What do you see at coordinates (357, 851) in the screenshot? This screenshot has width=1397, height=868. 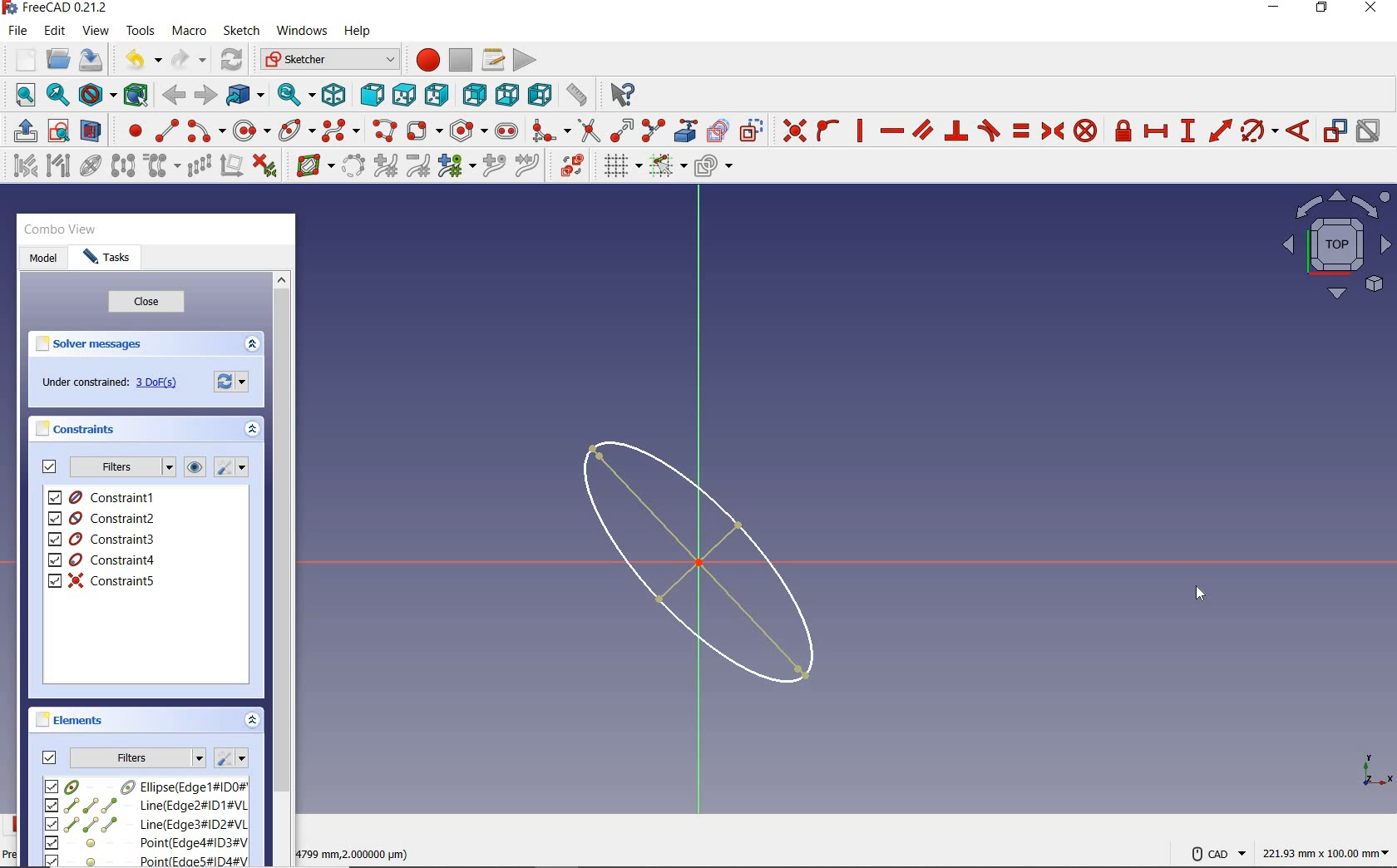 I see `cursor coordinates` at bounding box center [357, 851].